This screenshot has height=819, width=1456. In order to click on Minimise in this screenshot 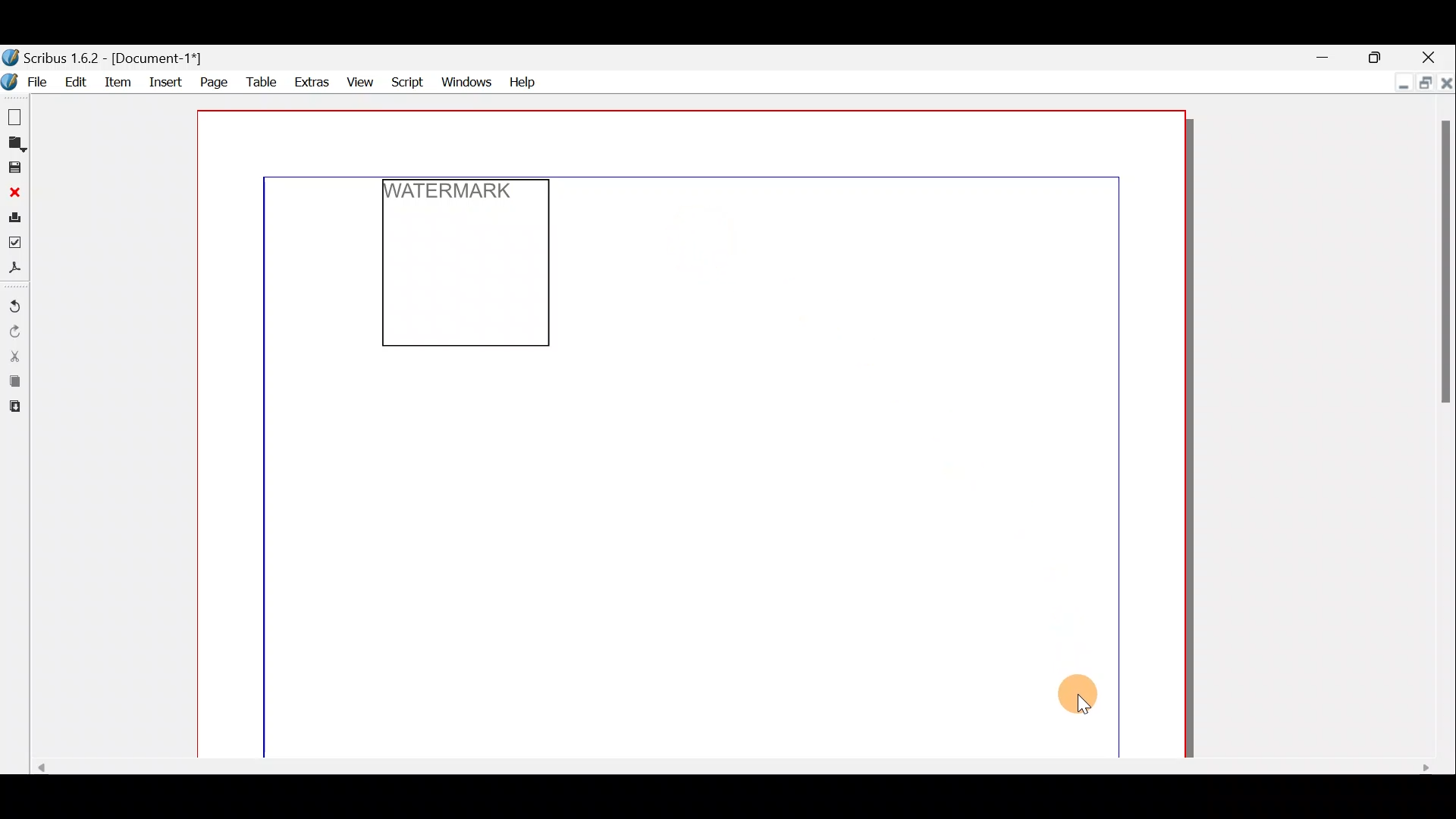, I will do `click(1326, 55)`.